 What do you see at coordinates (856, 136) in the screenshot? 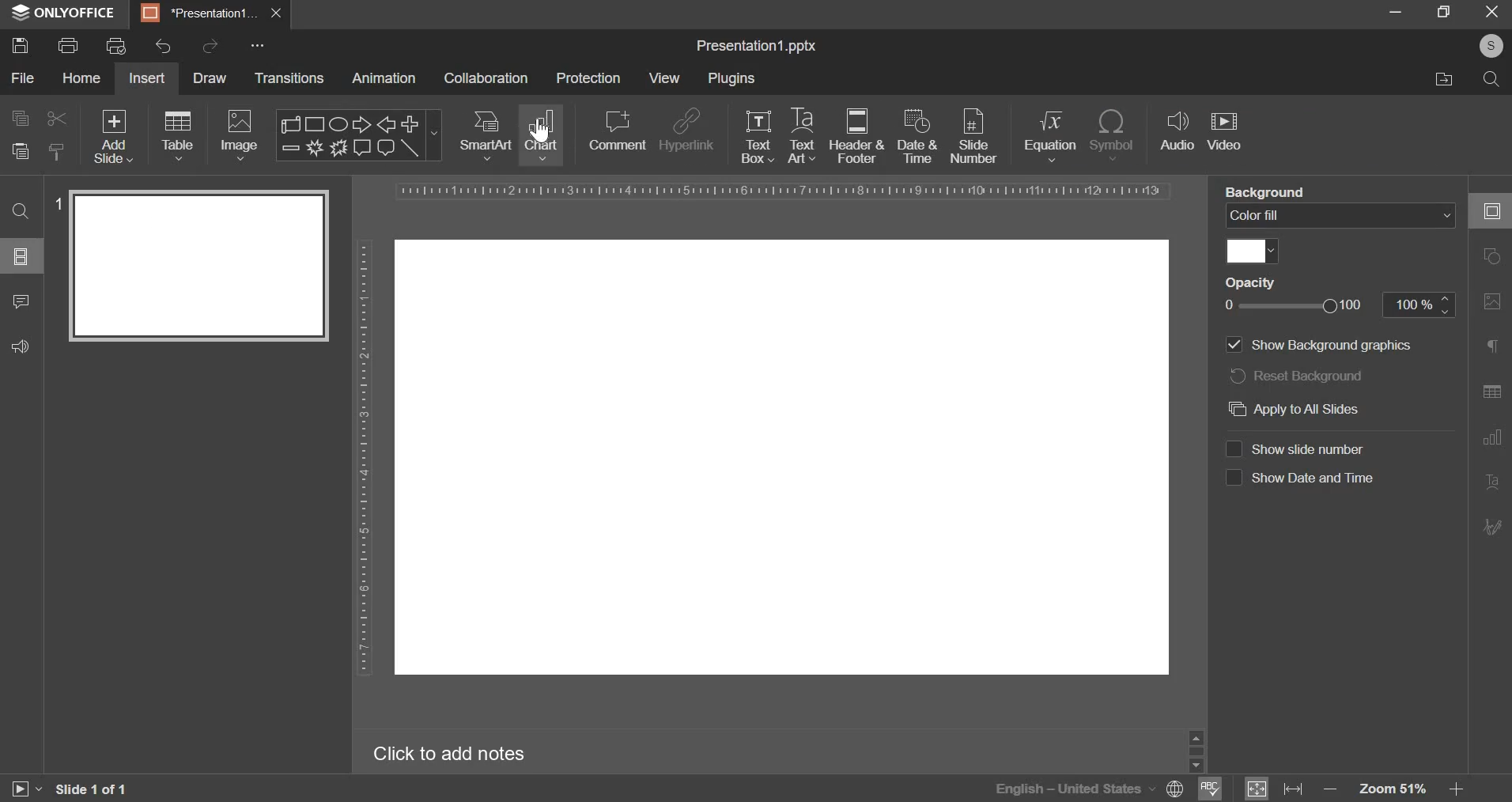
I see `header & footer` at bounding box center [856, 136].